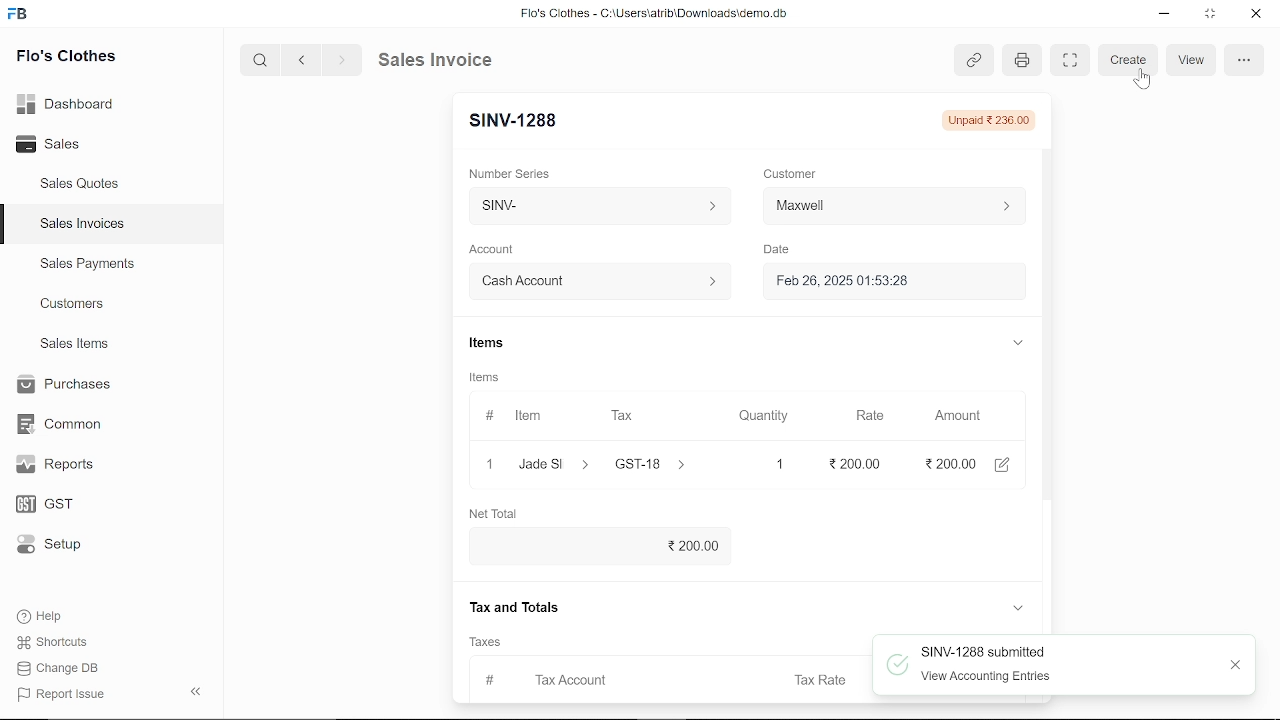 The image size is (1280, 720). What do you see at coordinates (987, 650) in the screenshot?
I see `SINV-1288 submitted` at bounding box center [987, 650].